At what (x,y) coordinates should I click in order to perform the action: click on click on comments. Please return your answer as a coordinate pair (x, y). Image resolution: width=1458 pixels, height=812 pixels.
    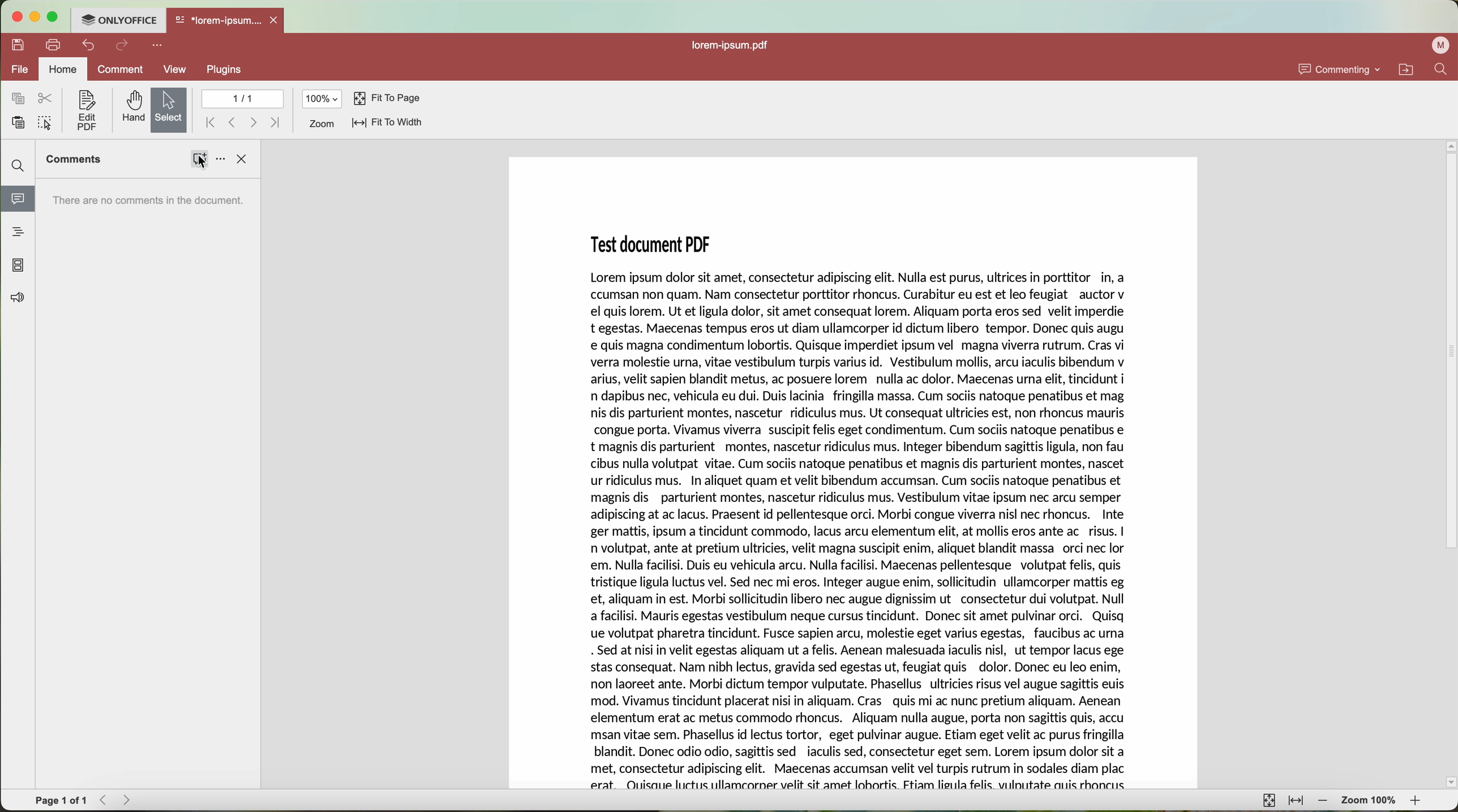
    Looking at the image, I should click on (199, 160).